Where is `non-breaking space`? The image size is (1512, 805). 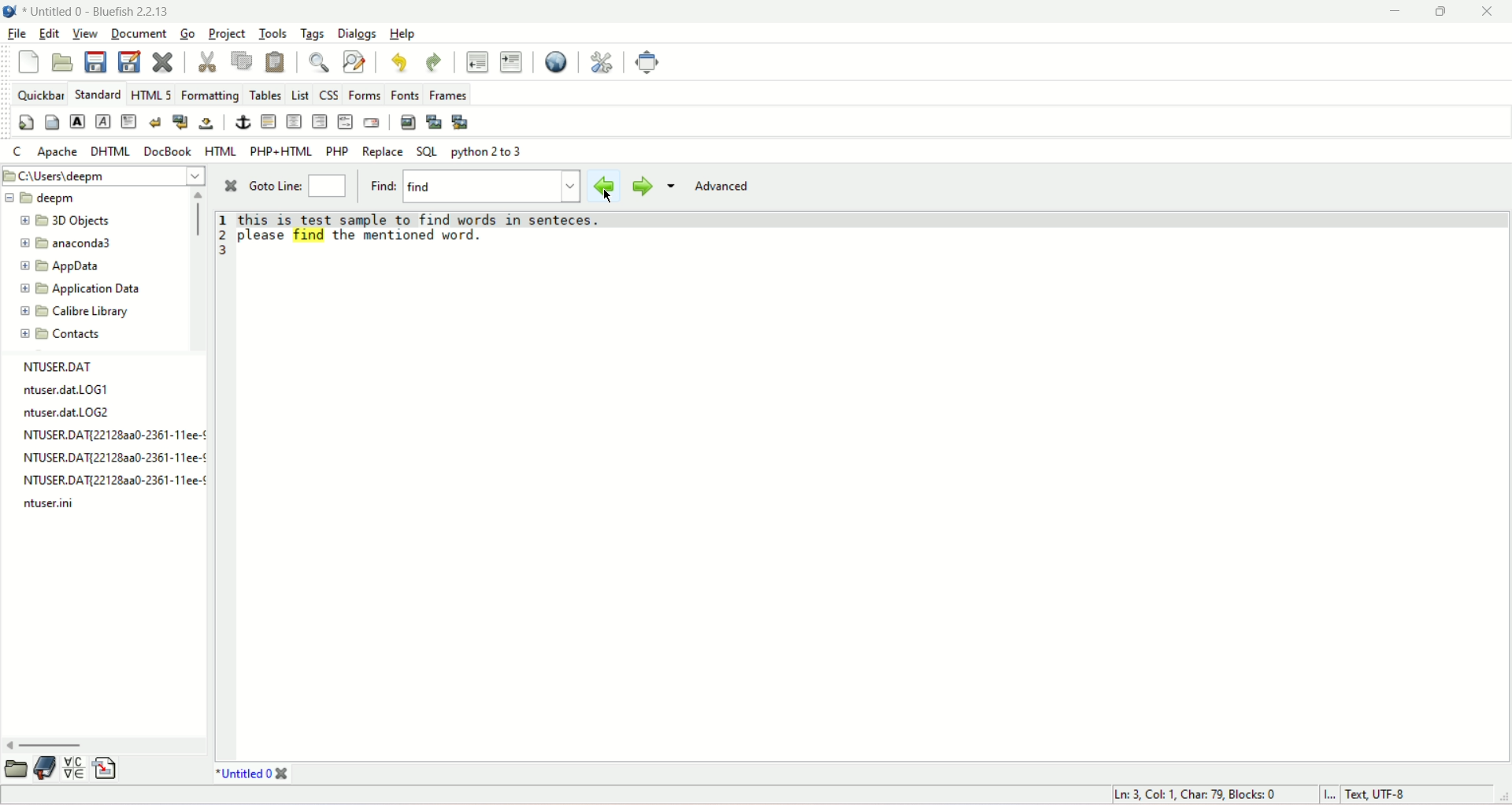
non-breaking space is located at coordinates (207, 124).